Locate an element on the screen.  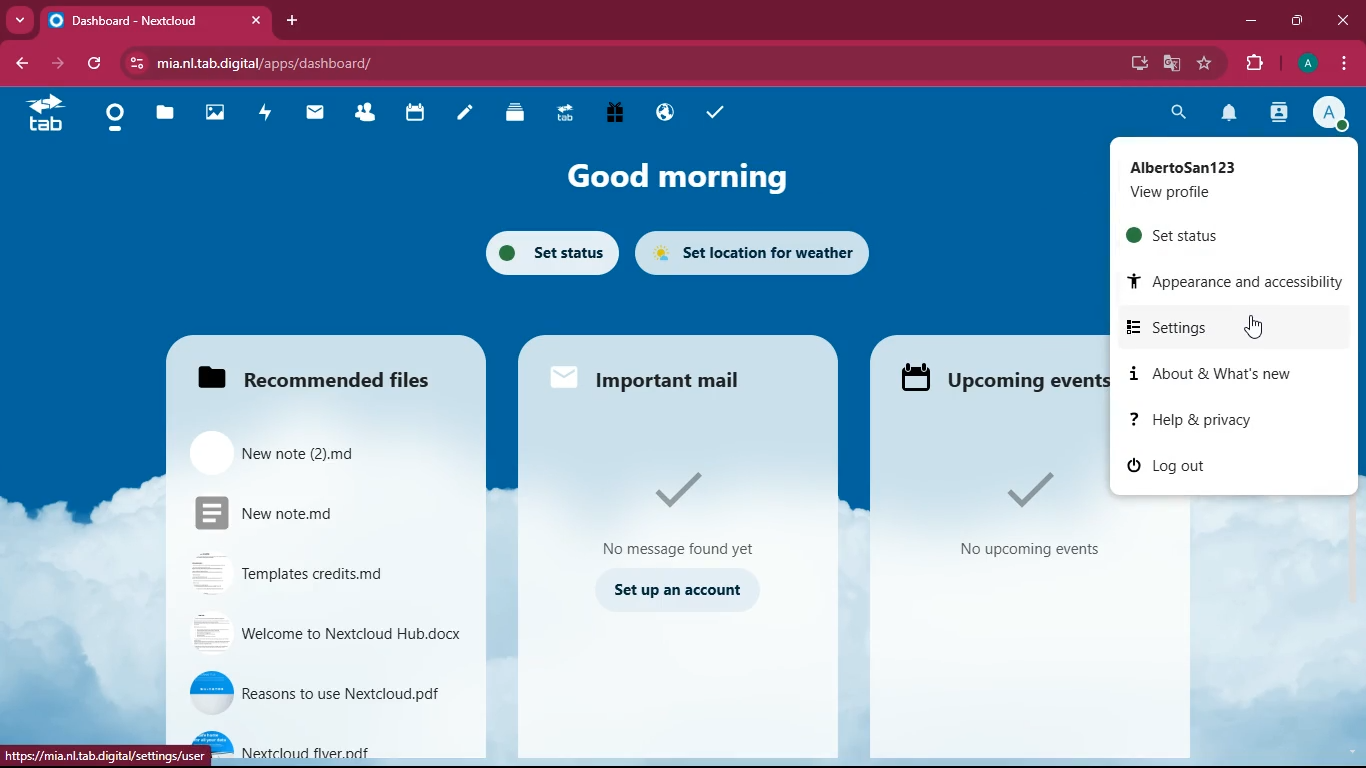
set status is located at coordinates (1229, 233).